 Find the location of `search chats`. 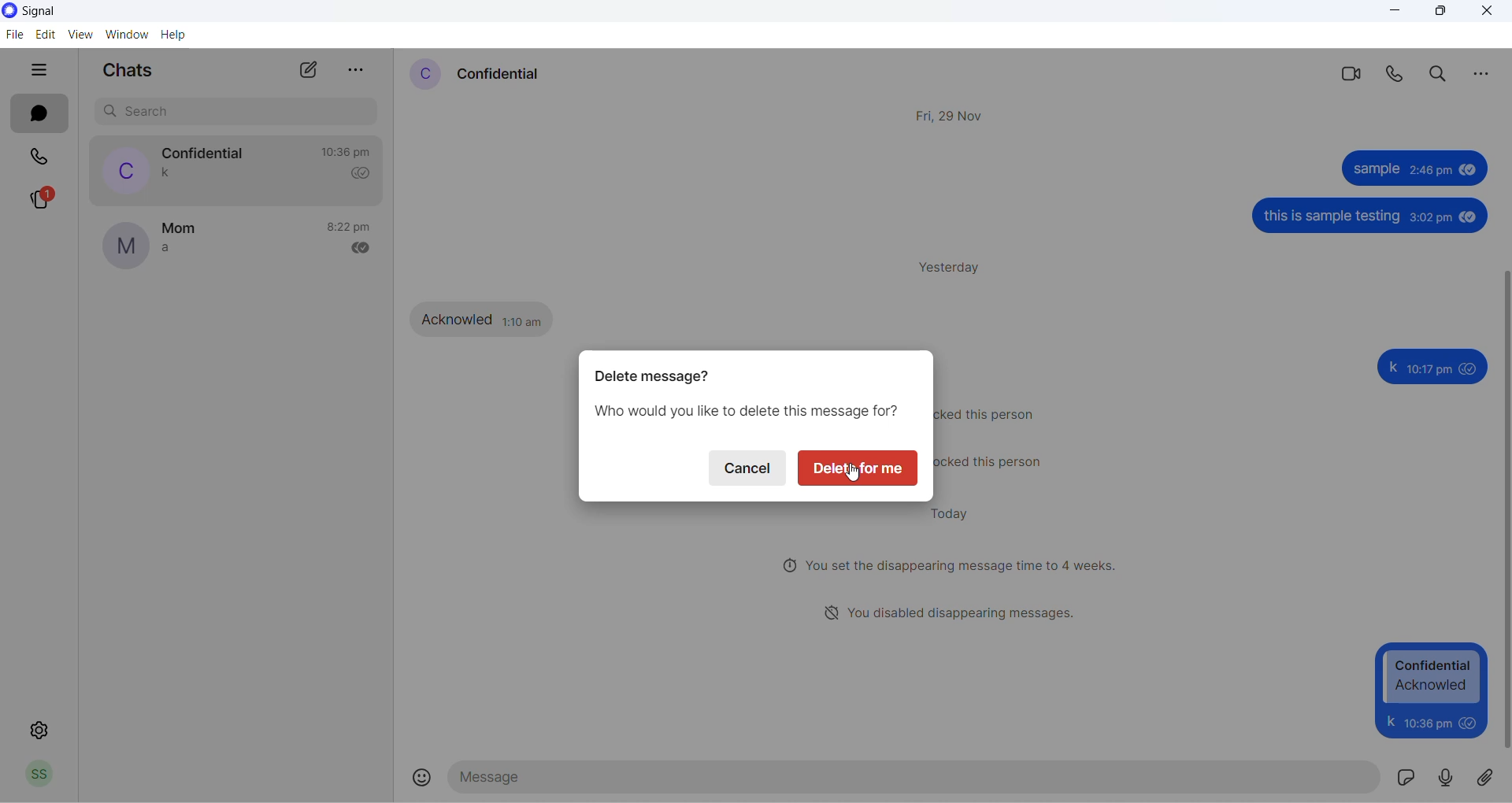

search chats is located at coordinates (243, 112).